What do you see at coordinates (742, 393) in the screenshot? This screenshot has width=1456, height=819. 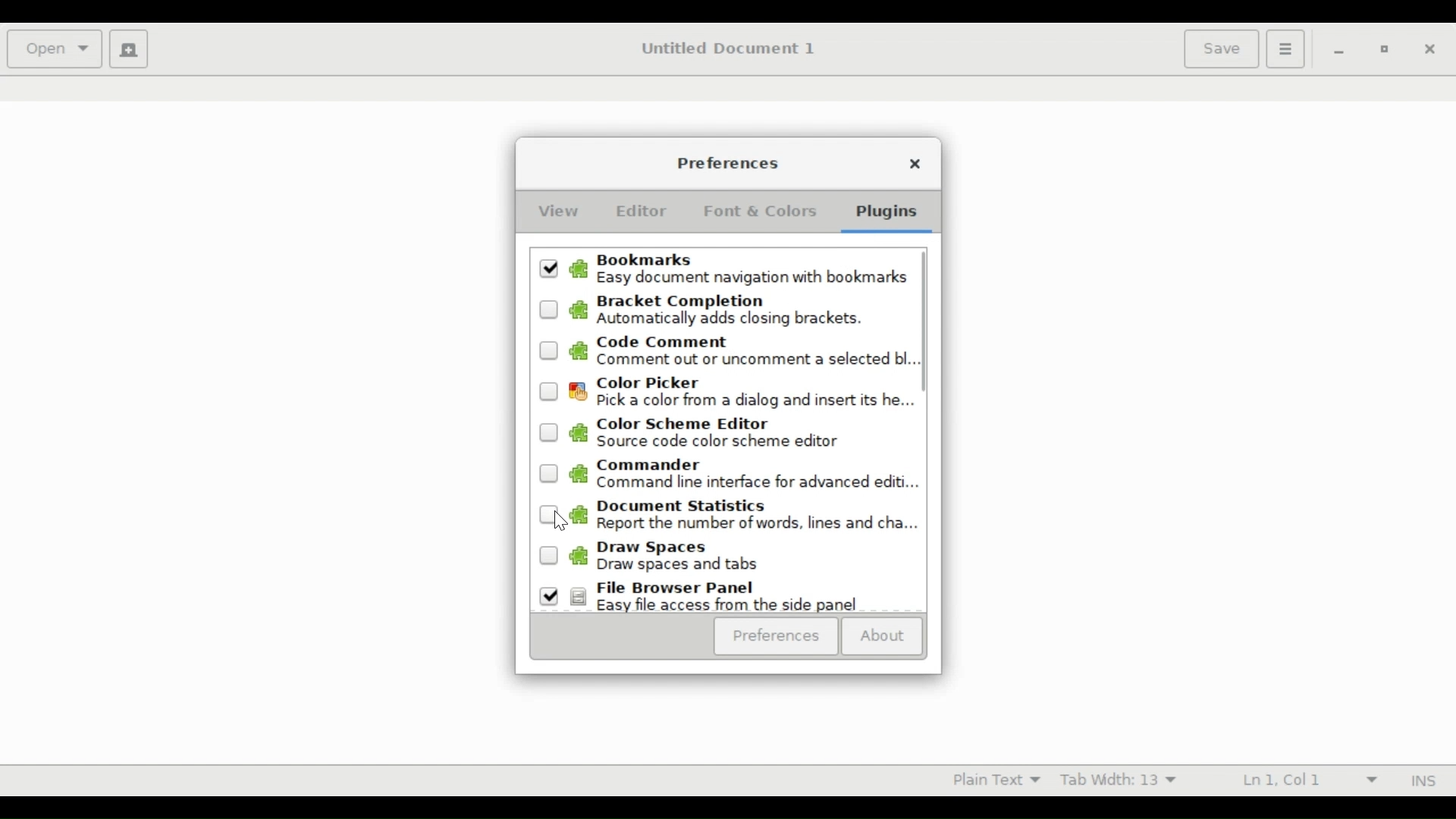 I see `(Un)select color picker. Pick color from dialog and insert its he..` at bounding box center [742, 393].